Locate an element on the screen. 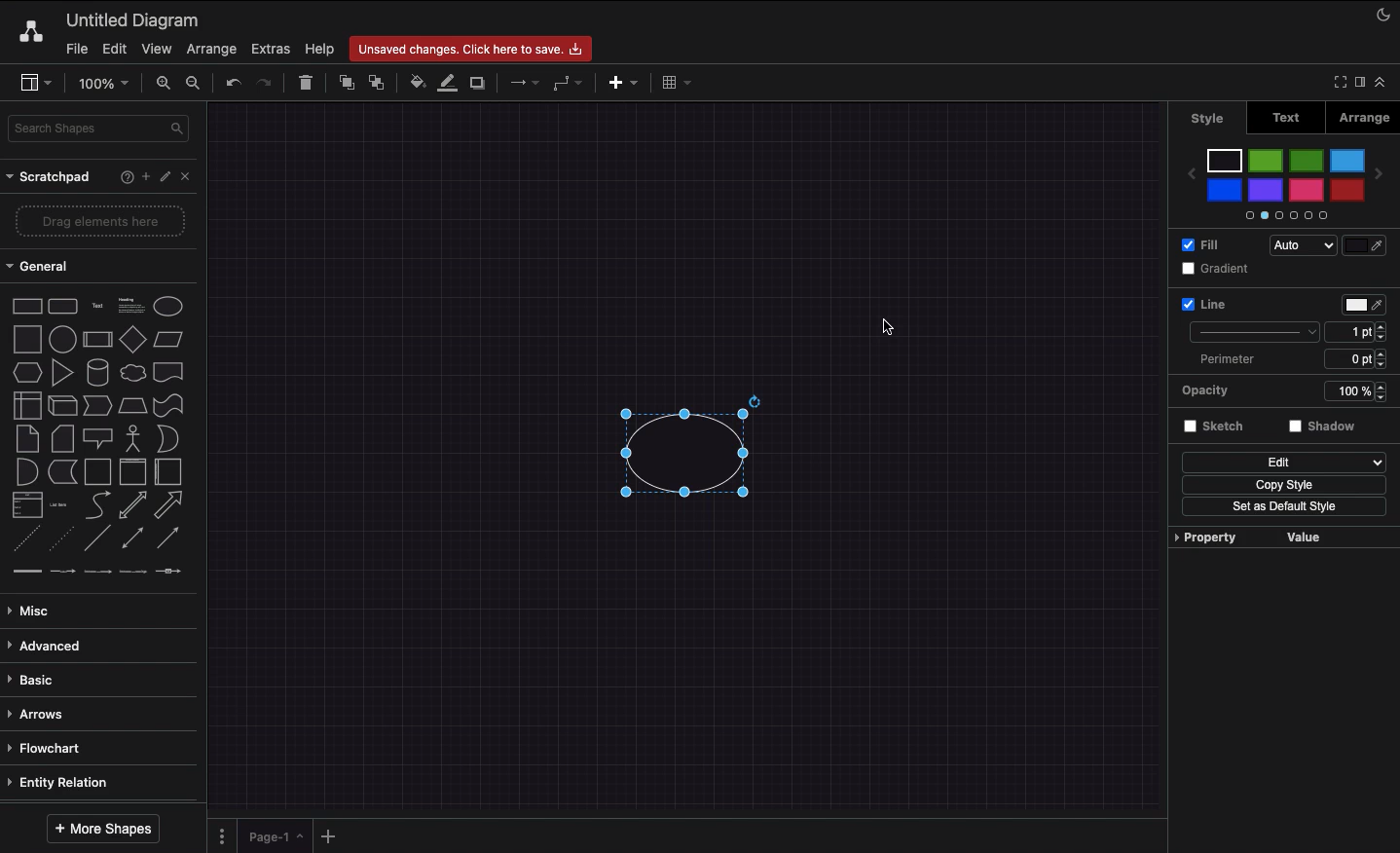 The width and height of the screenshot is (1400, 853). Pages is located at coordinates (218, 836).